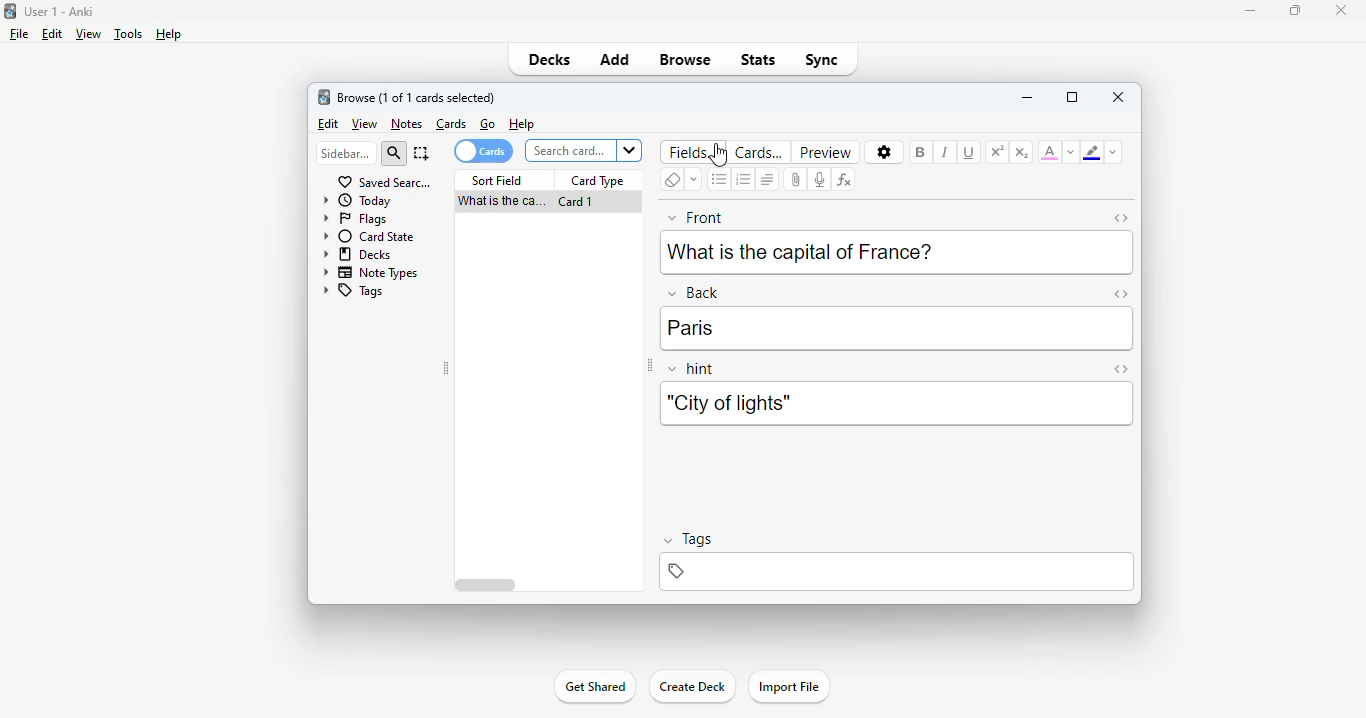 The image size is (1366, 718). I want to click on edit, so click(329, 124).